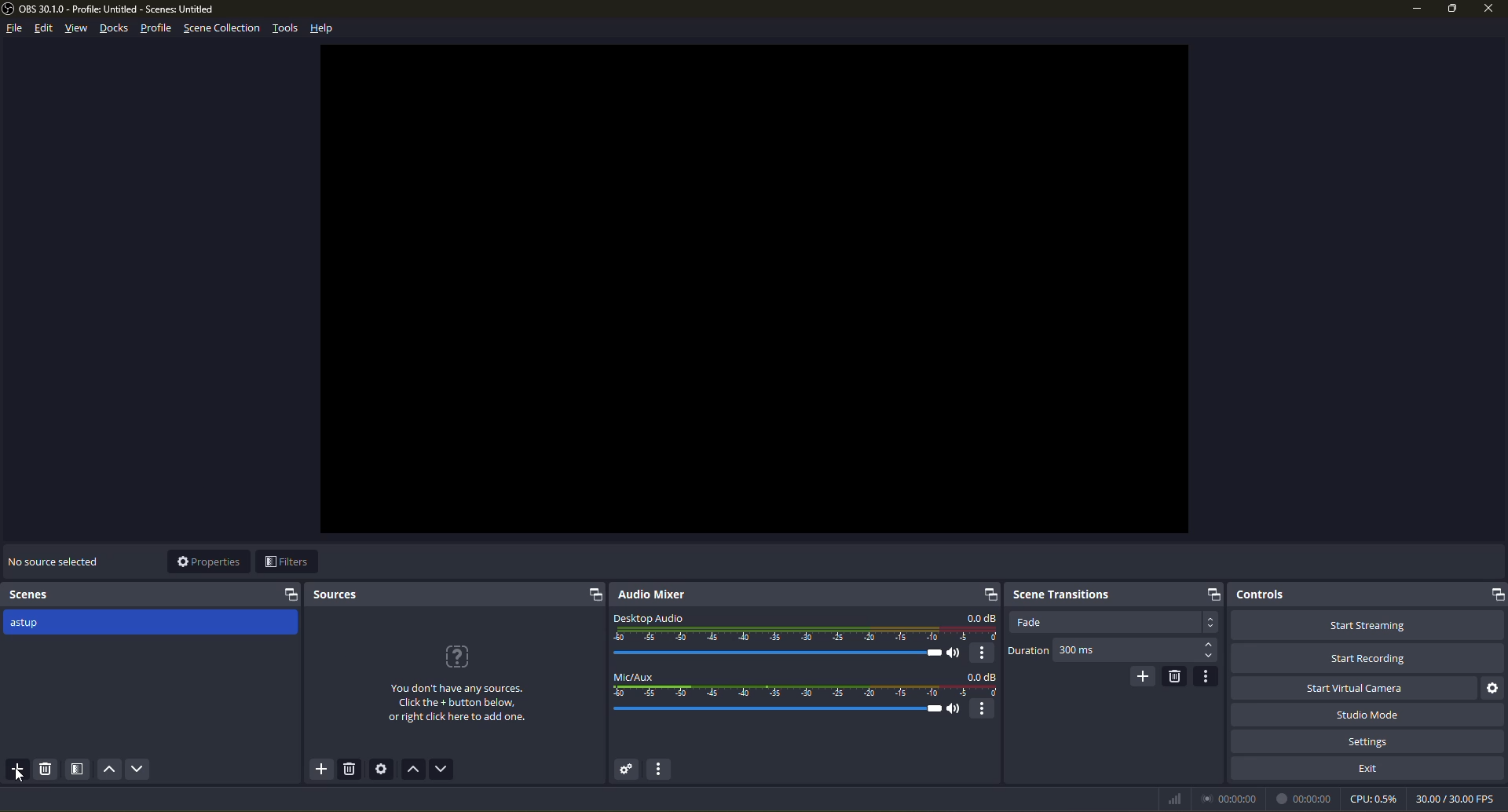 The height and width of the screenshot is (812, 1508). I want to click on move scene up, so click(109, 768).